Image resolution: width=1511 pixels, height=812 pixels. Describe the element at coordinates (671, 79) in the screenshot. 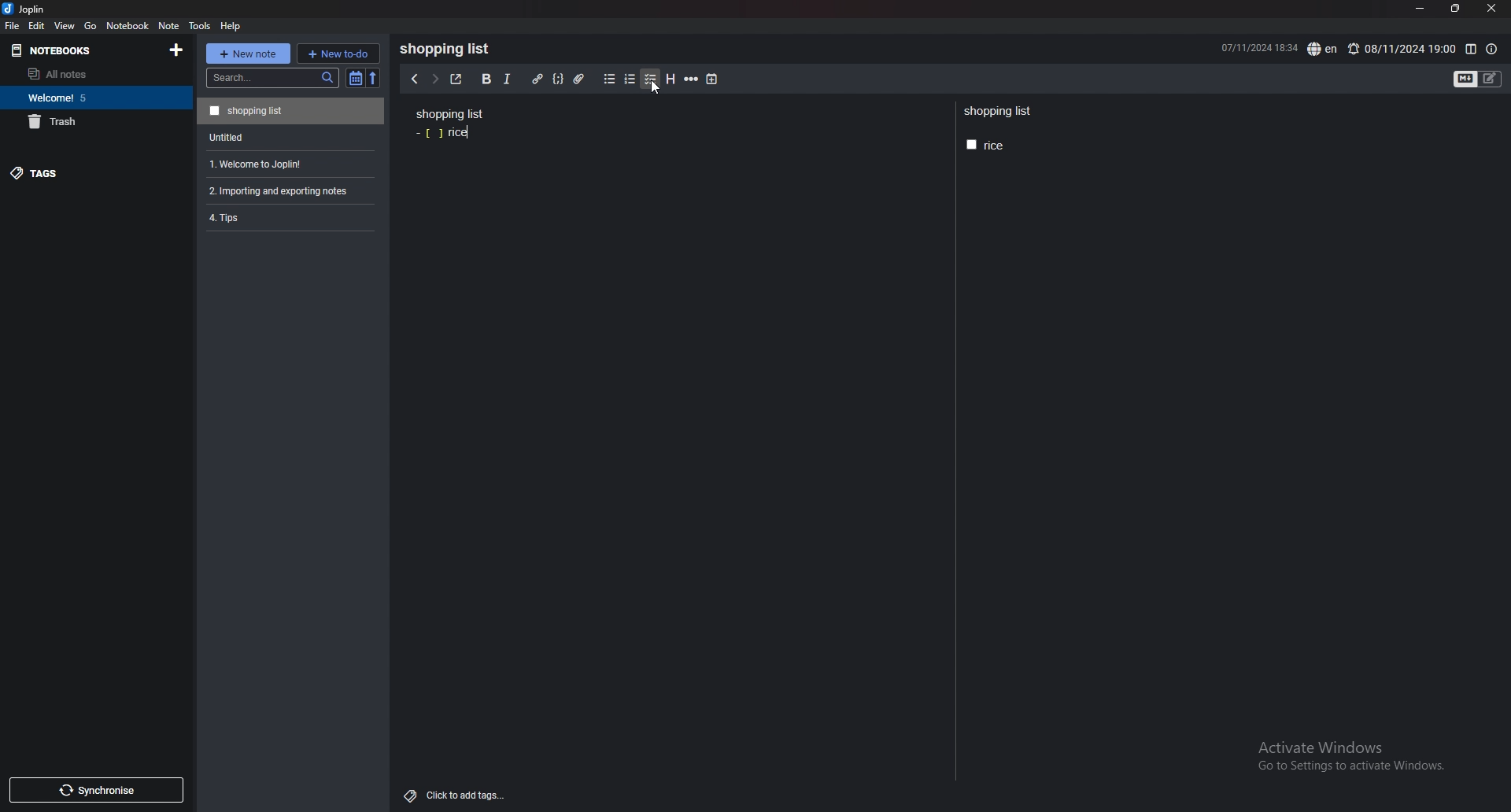

I see `heading` at that location.